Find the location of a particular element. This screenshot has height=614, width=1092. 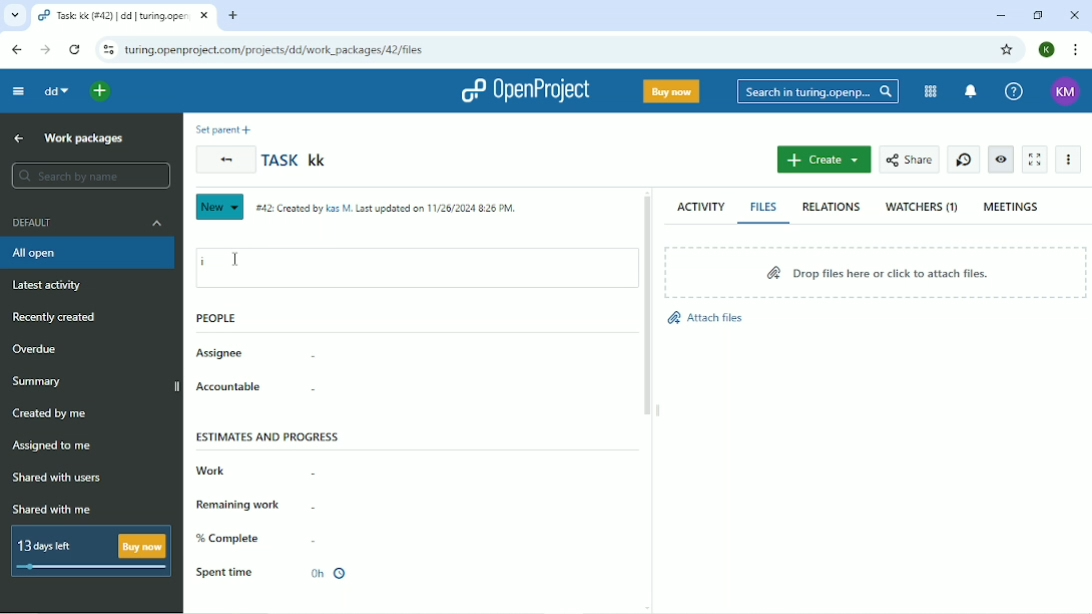

i is located at coordinates (207, 264).